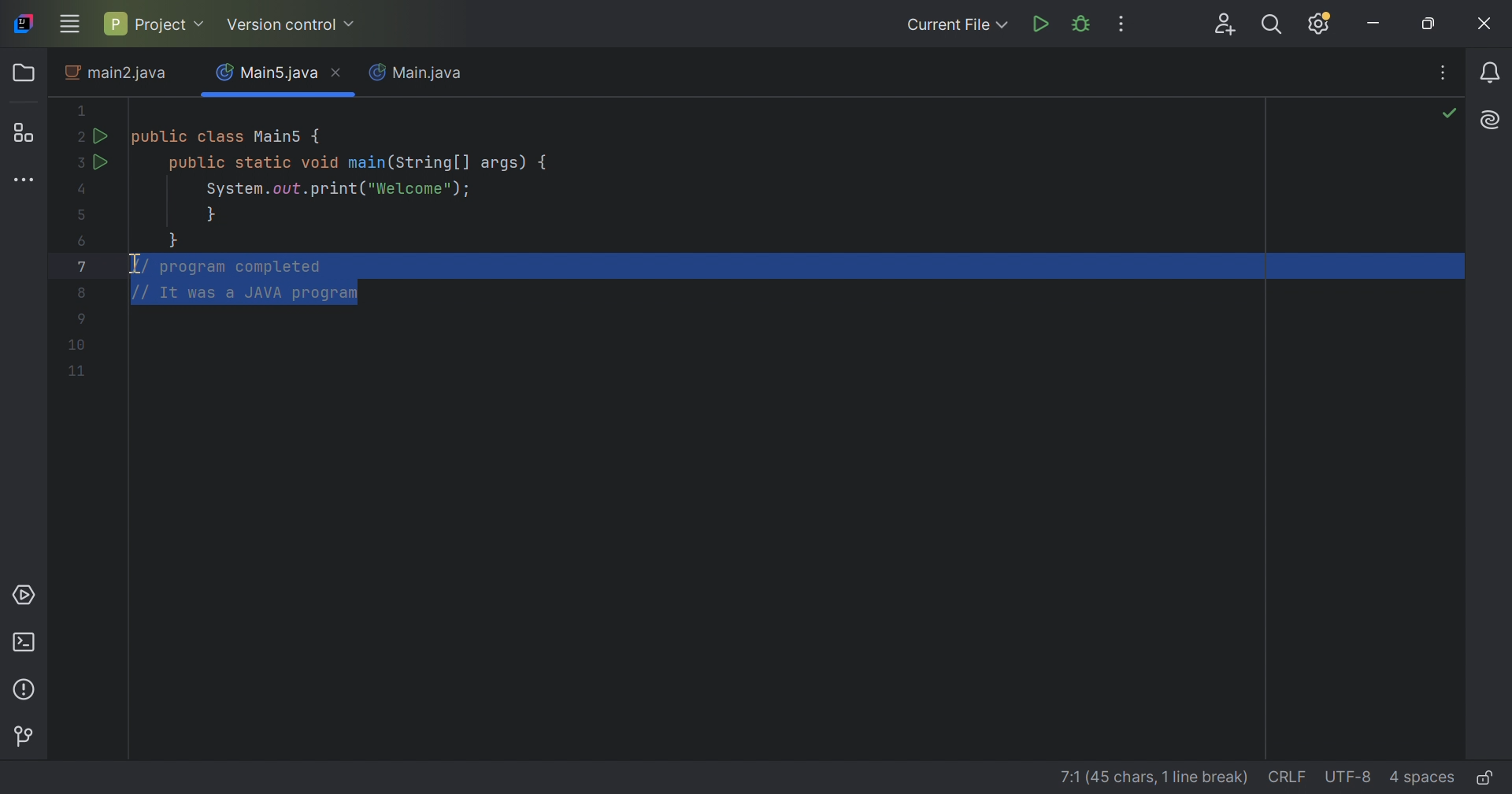 Image resolution: width=1512 pixels, height=794 pixels. What do you see at coordinates (1284, 777) in the screenshot?
I see `CRLF` at bounding box center [1284, 777].